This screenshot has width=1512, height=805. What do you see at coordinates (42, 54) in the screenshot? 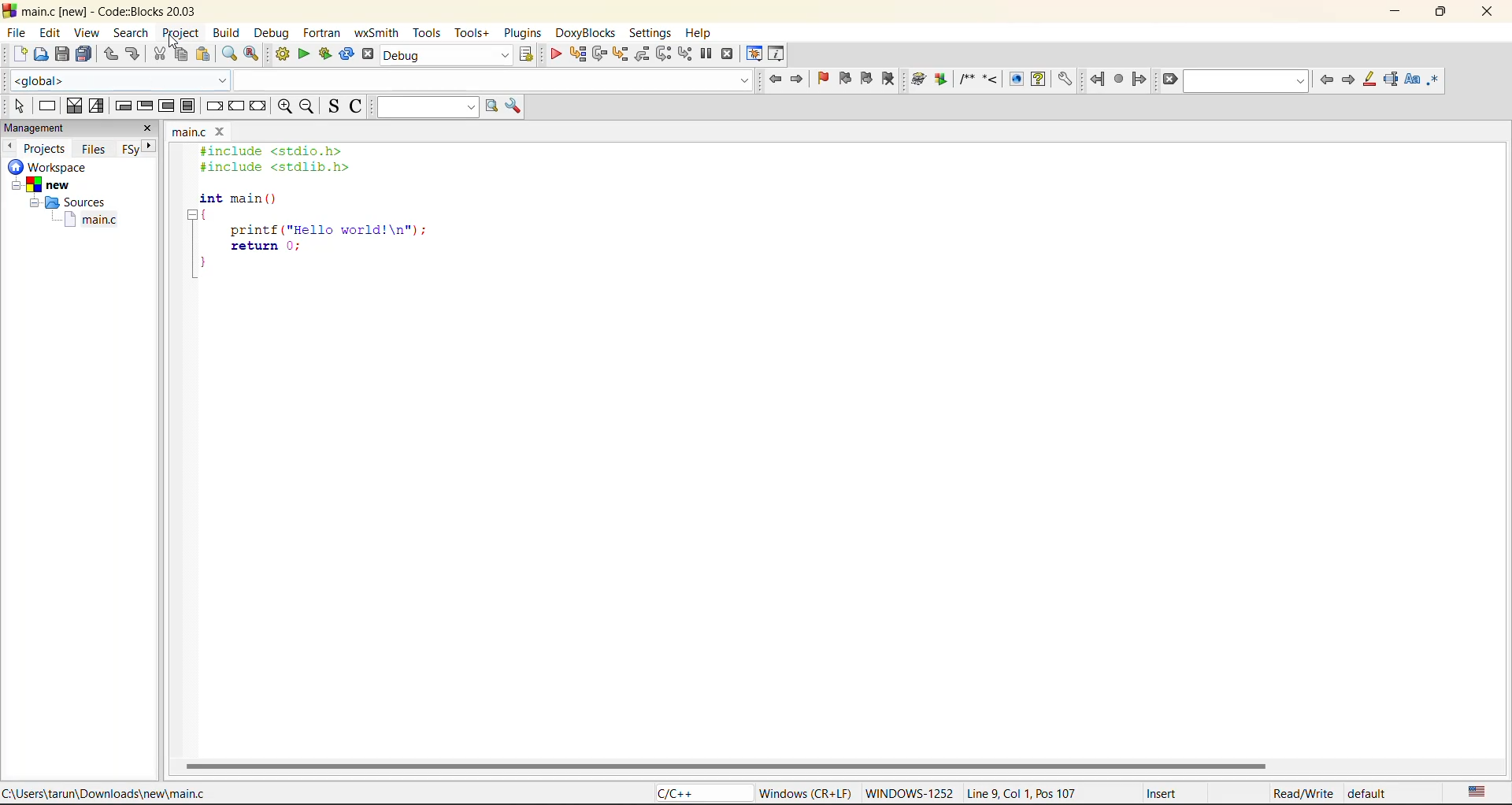
I see `open` at bounding box center [42, 54].